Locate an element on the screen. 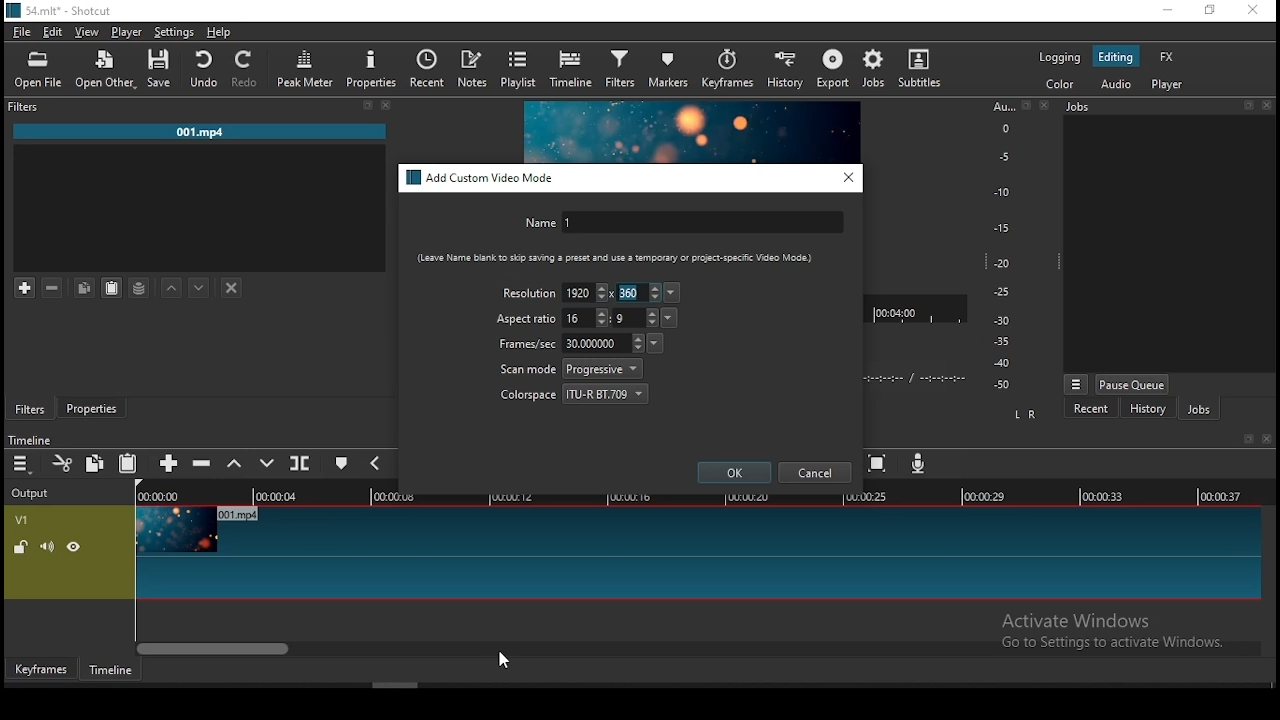 The image size is (1280, 720). aspect ration presets is located at coordinates (671, 318).